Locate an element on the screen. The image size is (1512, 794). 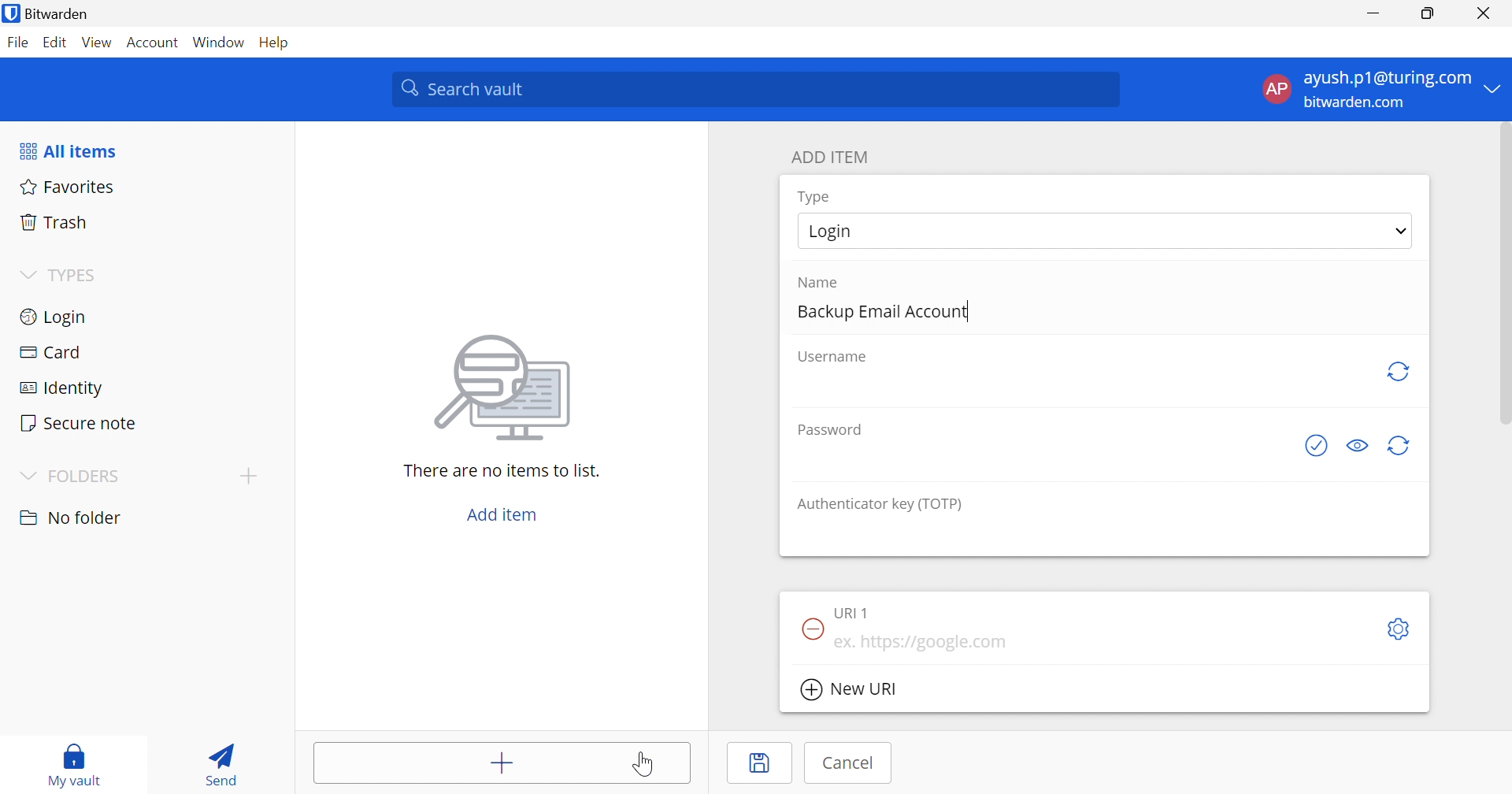
Bitwarden is located at coordinates (57, 13).